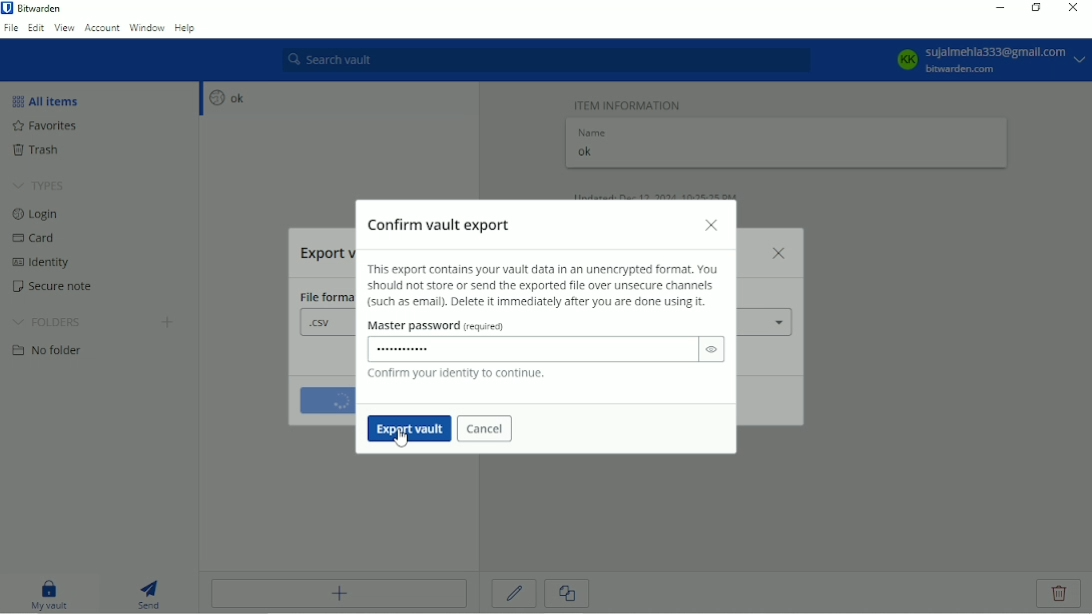 This screenshot has height=614, width=1092. Describe the element at coordinates (339, 593) in the screenshot. I see `Add item` at that location.